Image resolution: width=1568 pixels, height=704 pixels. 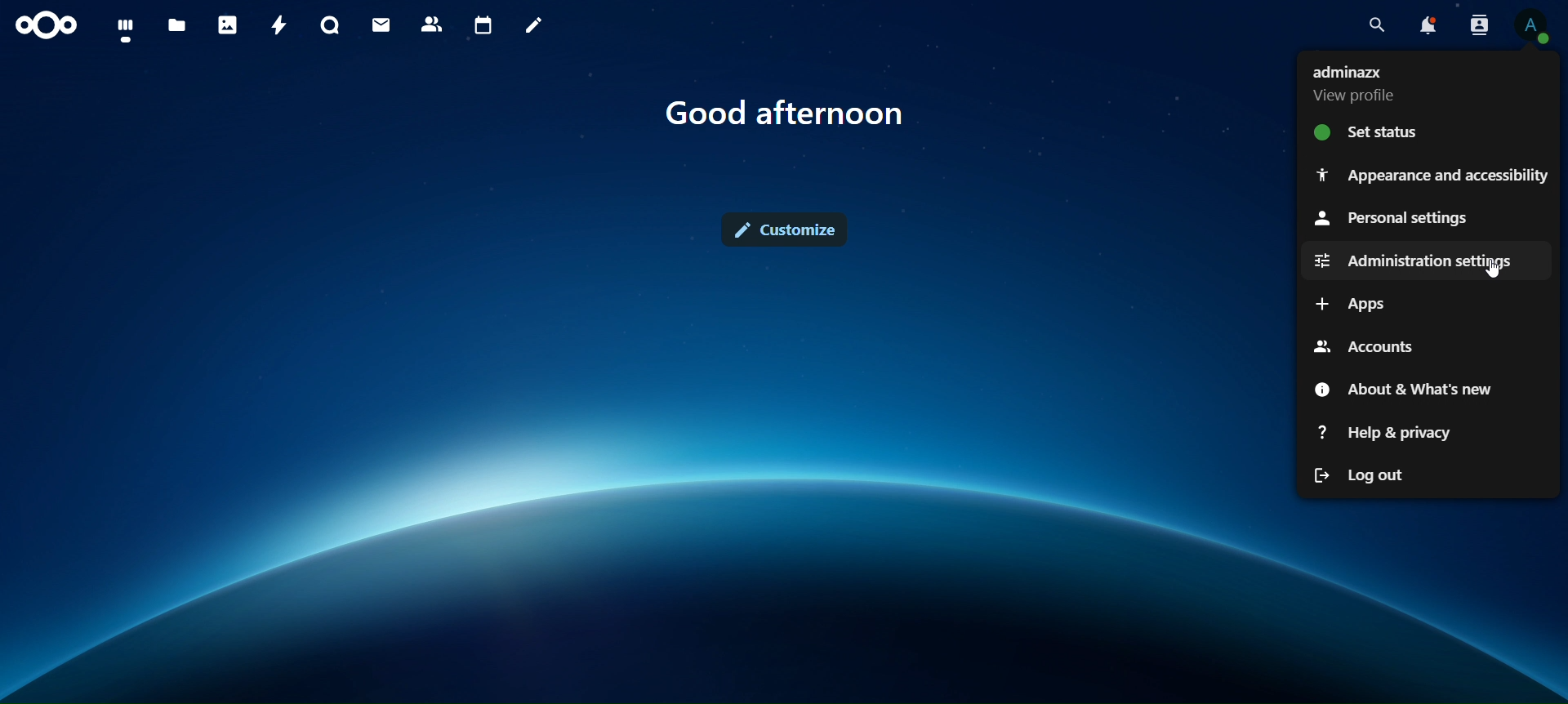 I want to click on icon, so click(x=49, y=28).